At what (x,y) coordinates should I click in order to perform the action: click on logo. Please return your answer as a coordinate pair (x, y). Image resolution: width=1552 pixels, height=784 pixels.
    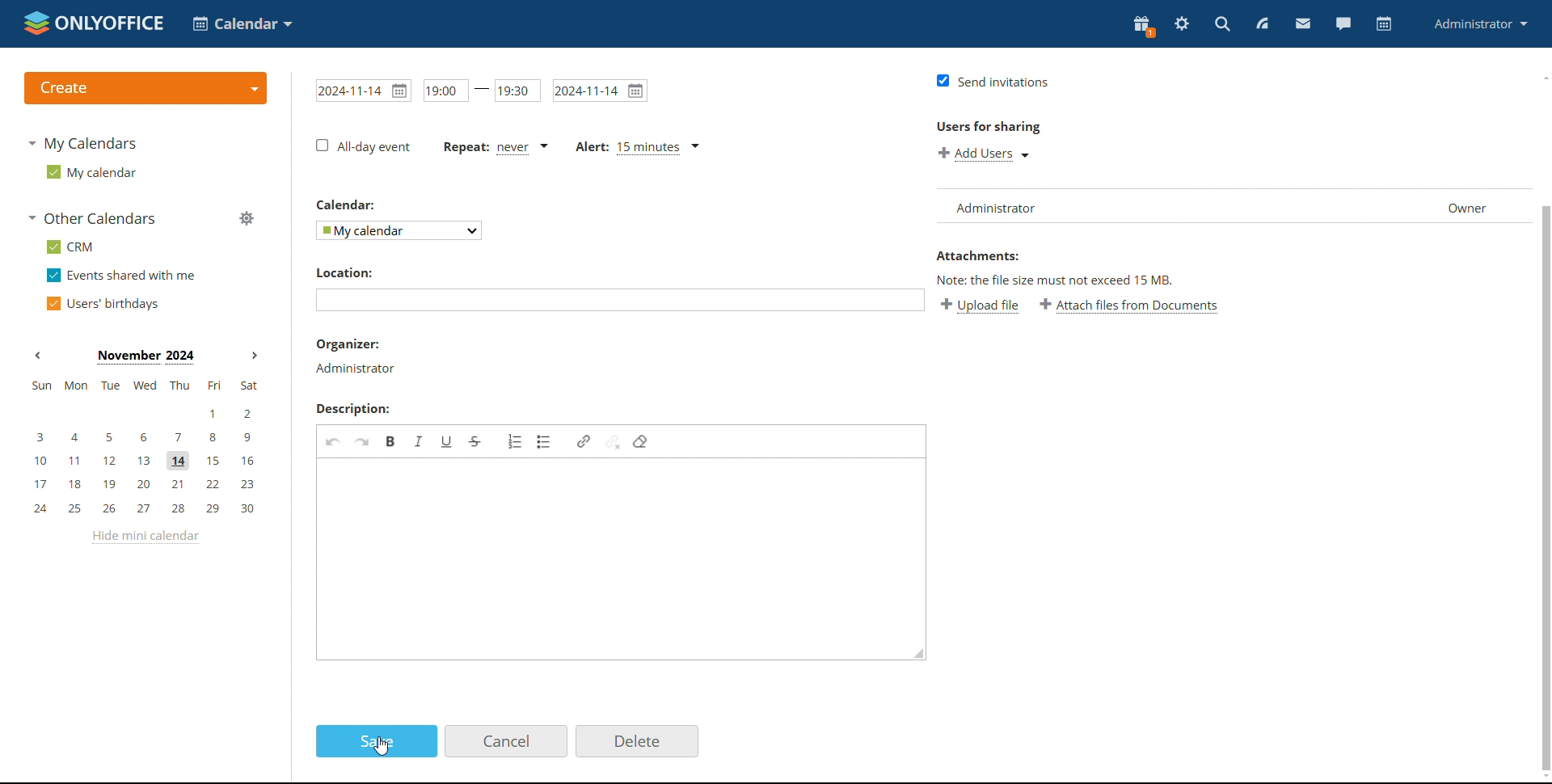
    Looking at the image, I should click on (92, 23).